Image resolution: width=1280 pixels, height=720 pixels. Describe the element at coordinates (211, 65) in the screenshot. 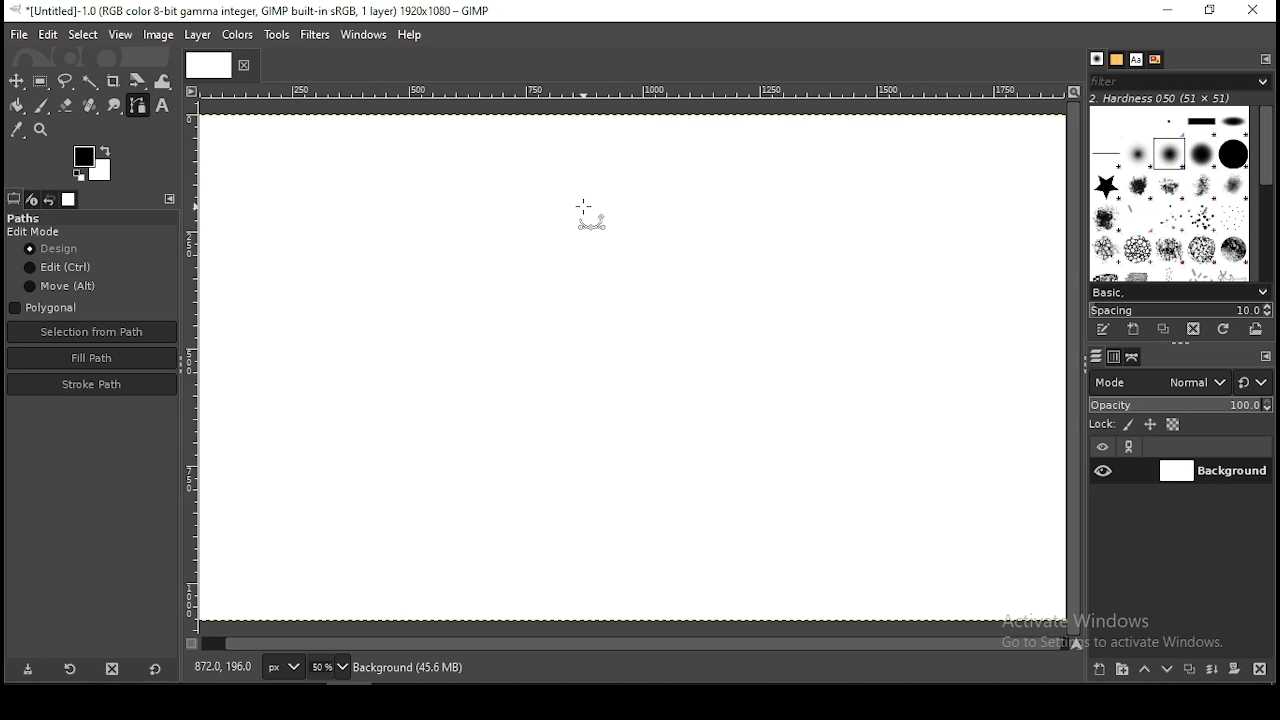

I see `tab` at that location.